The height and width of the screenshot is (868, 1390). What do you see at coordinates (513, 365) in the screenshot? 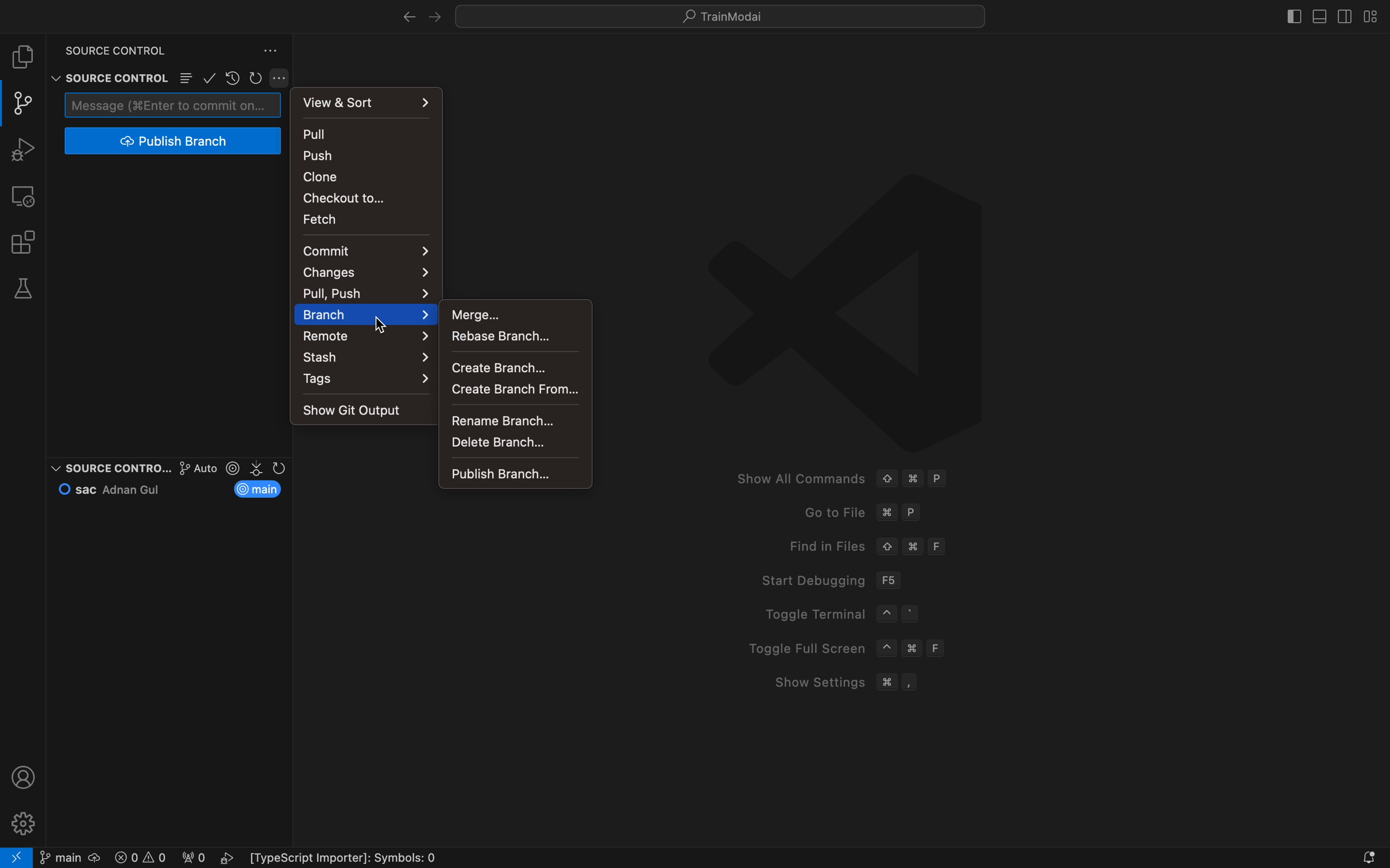
I see `create a brnch` at bounding box center [513, 365].